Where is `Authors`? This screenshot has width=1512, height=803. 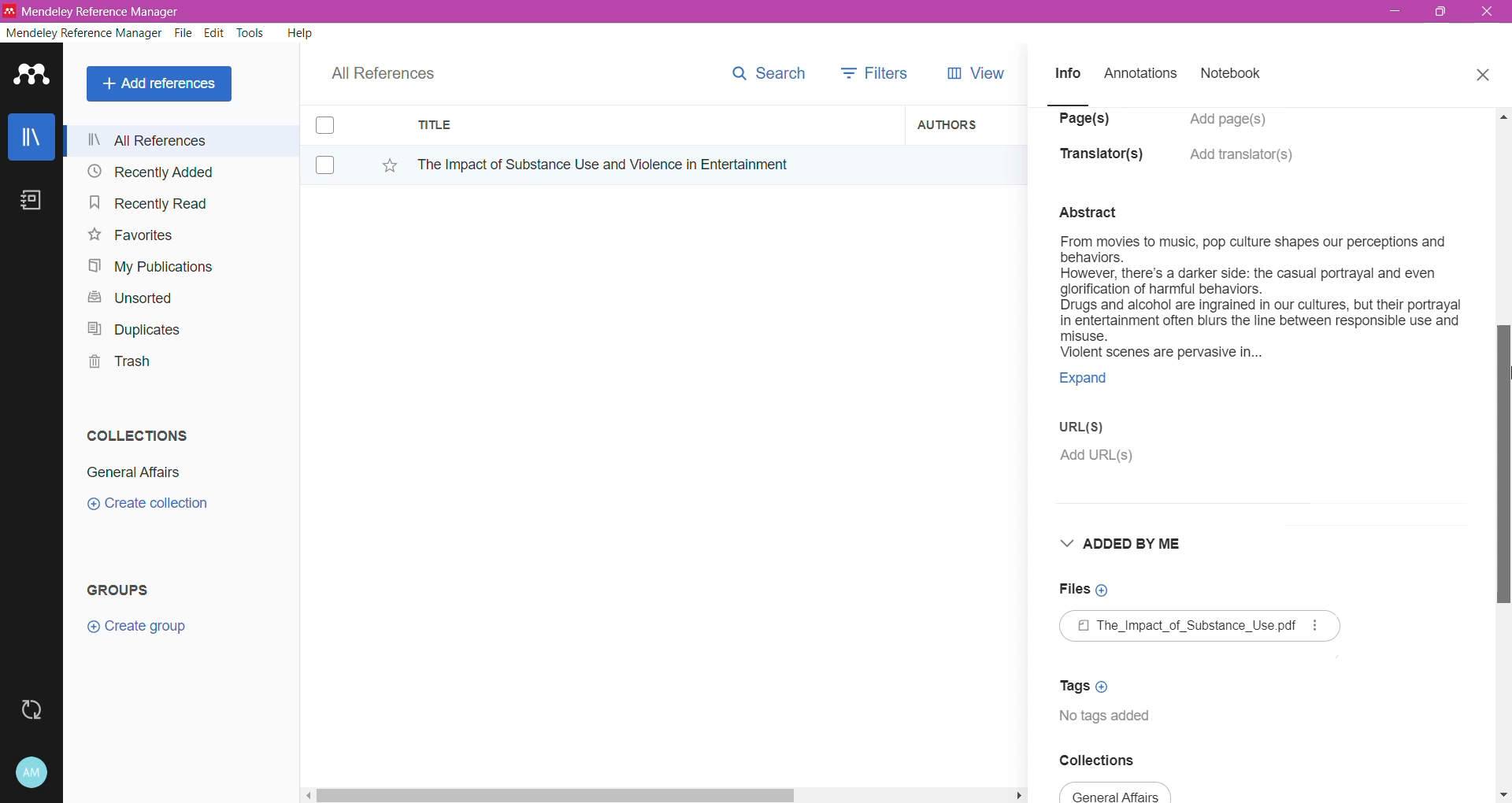 Authors is located at coordinates (966, 124).